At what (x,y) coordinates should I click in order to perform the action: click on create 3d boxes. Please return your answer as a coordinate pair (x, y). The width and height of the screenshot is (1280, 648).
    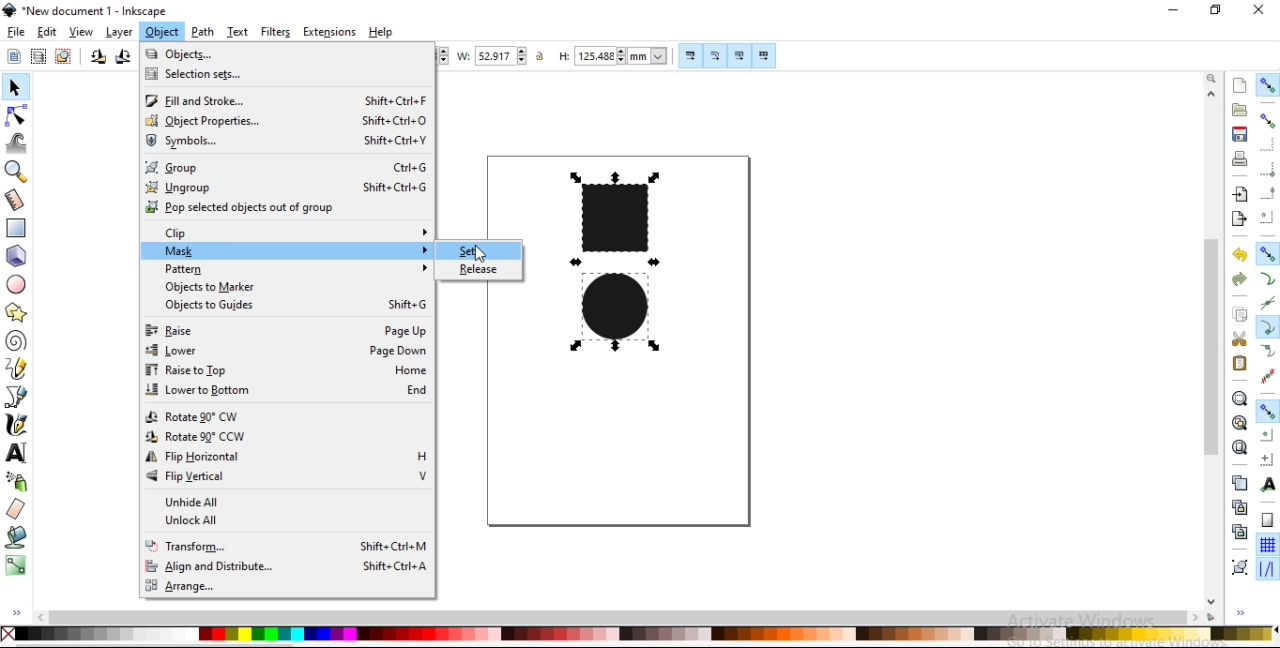
    Looking at the image, I should click on (18, 257).